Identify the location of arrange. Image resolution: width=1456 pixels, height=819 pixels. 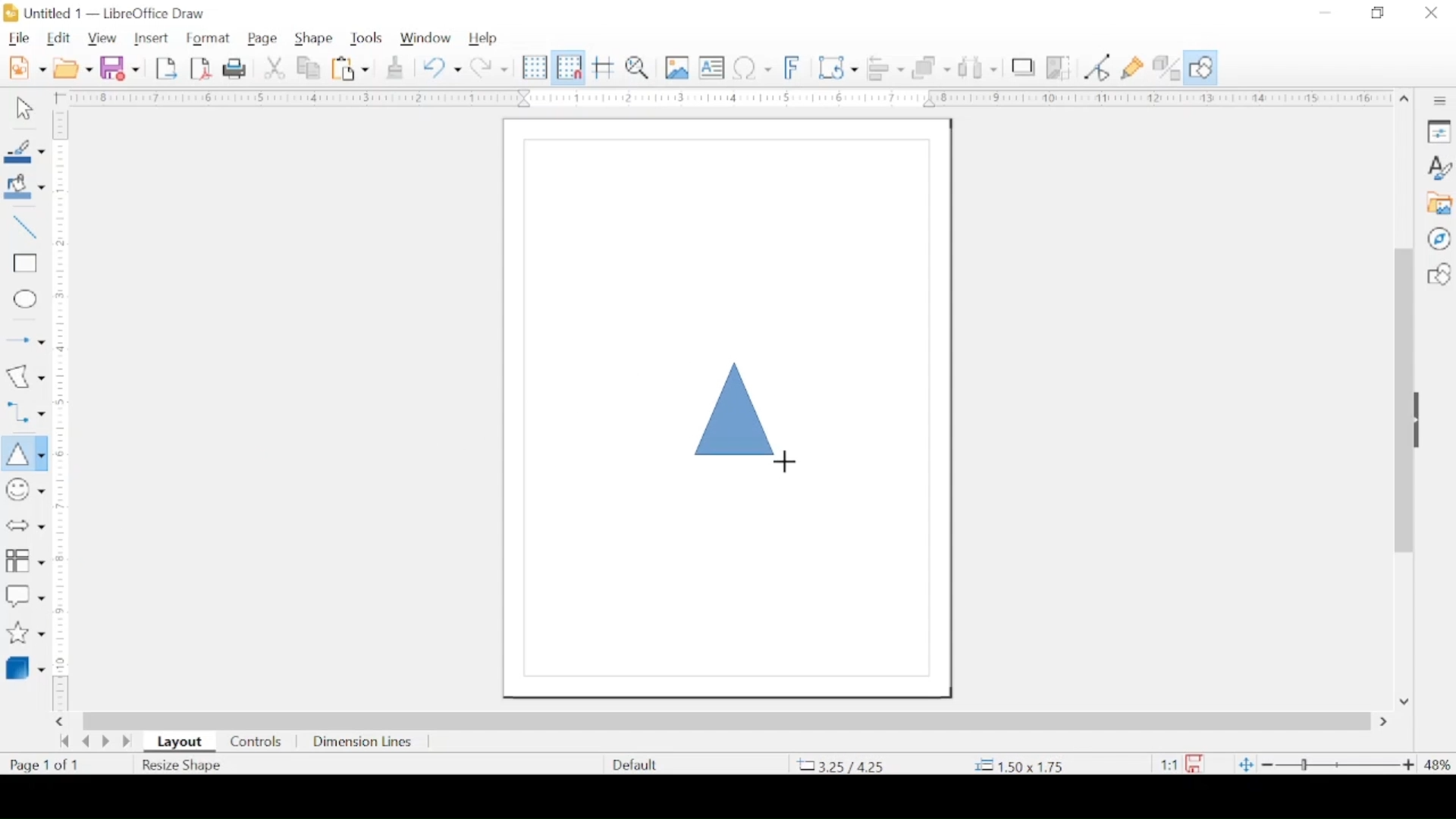
(933, 67).